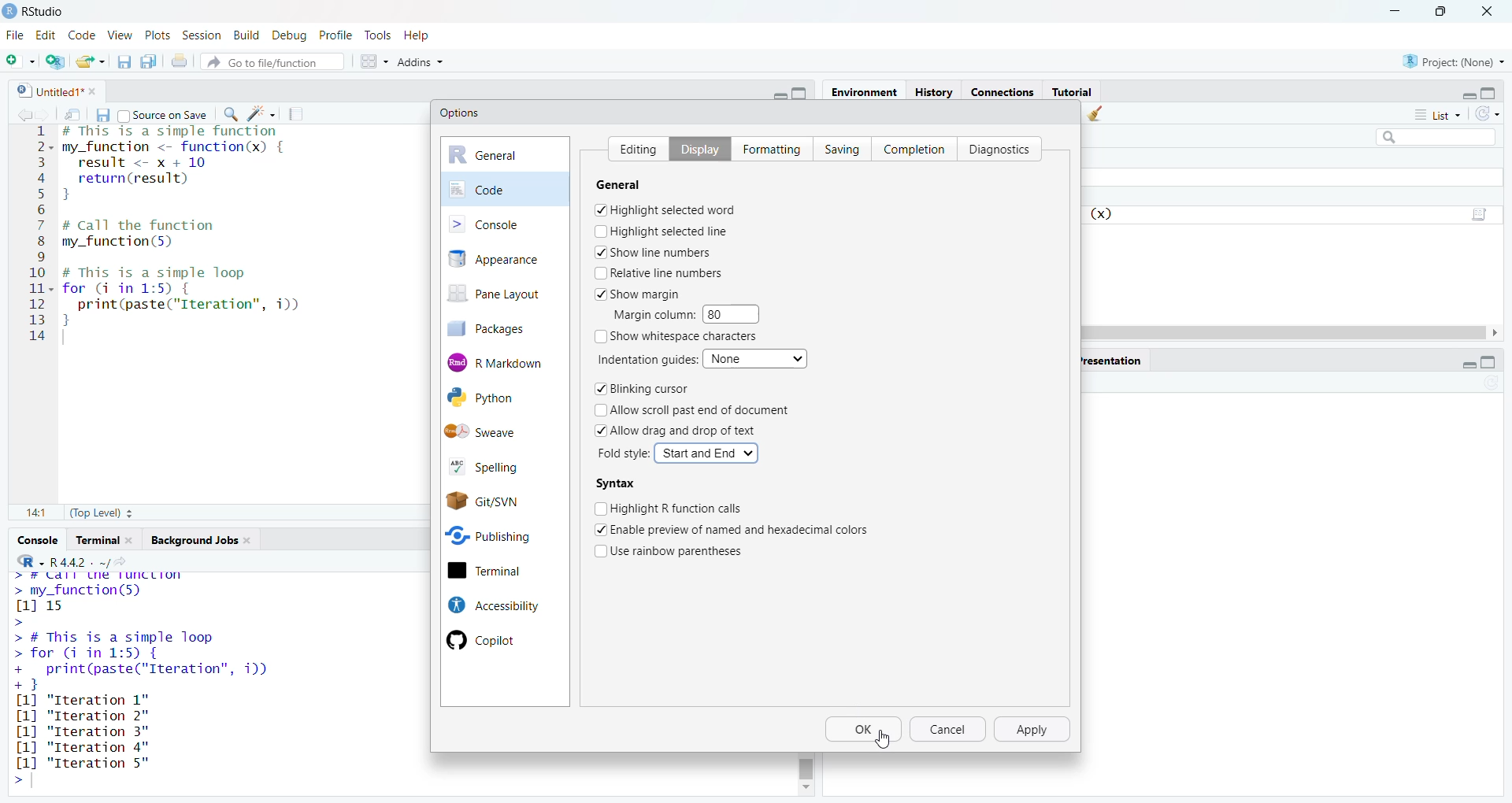  I want to click on apply, so click(1035, 730).